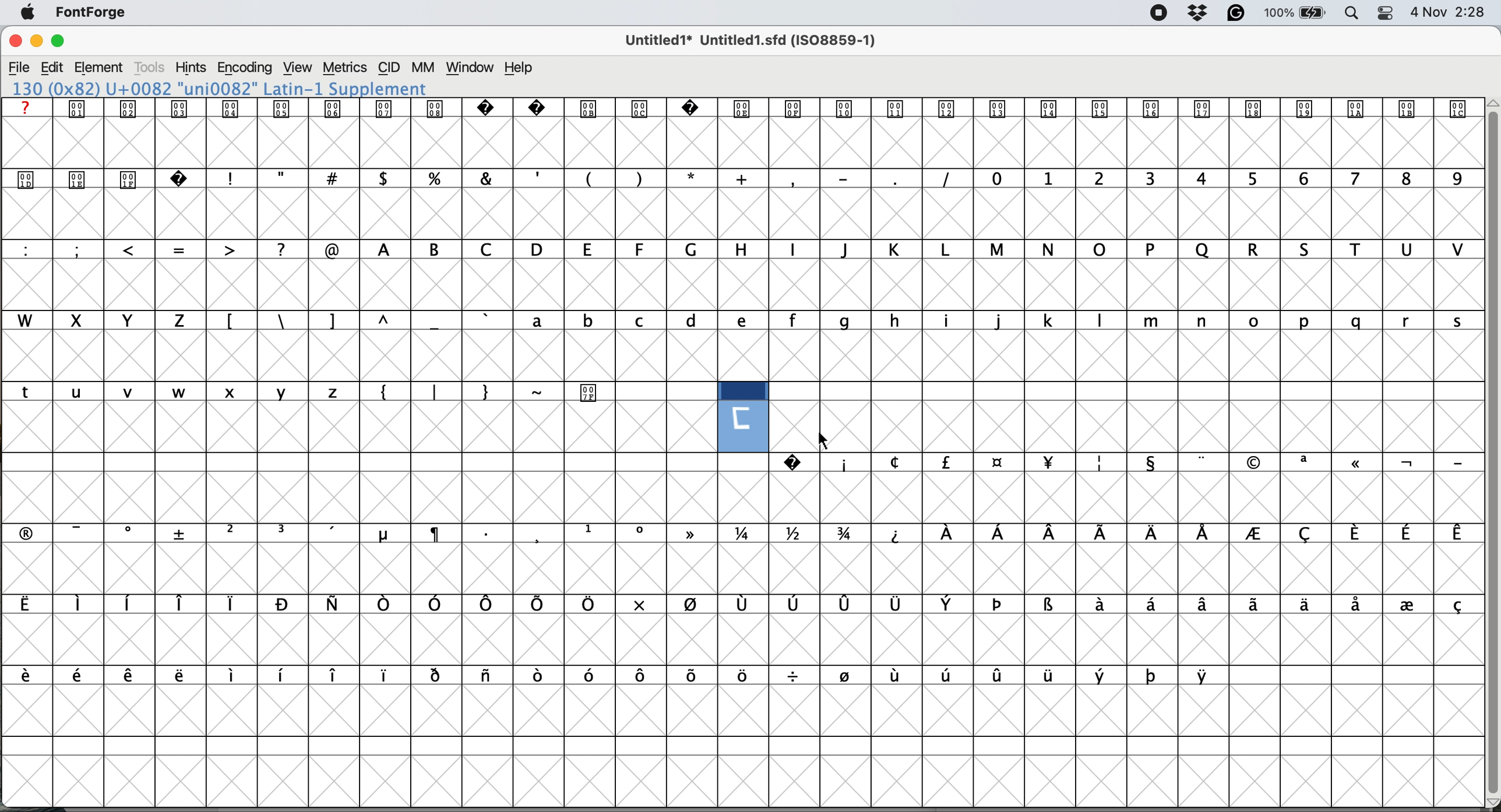  What do you see at coordinates (741, 109) in the screenshot?
I see `Glyph Slots` at bounding box center [741, 109].